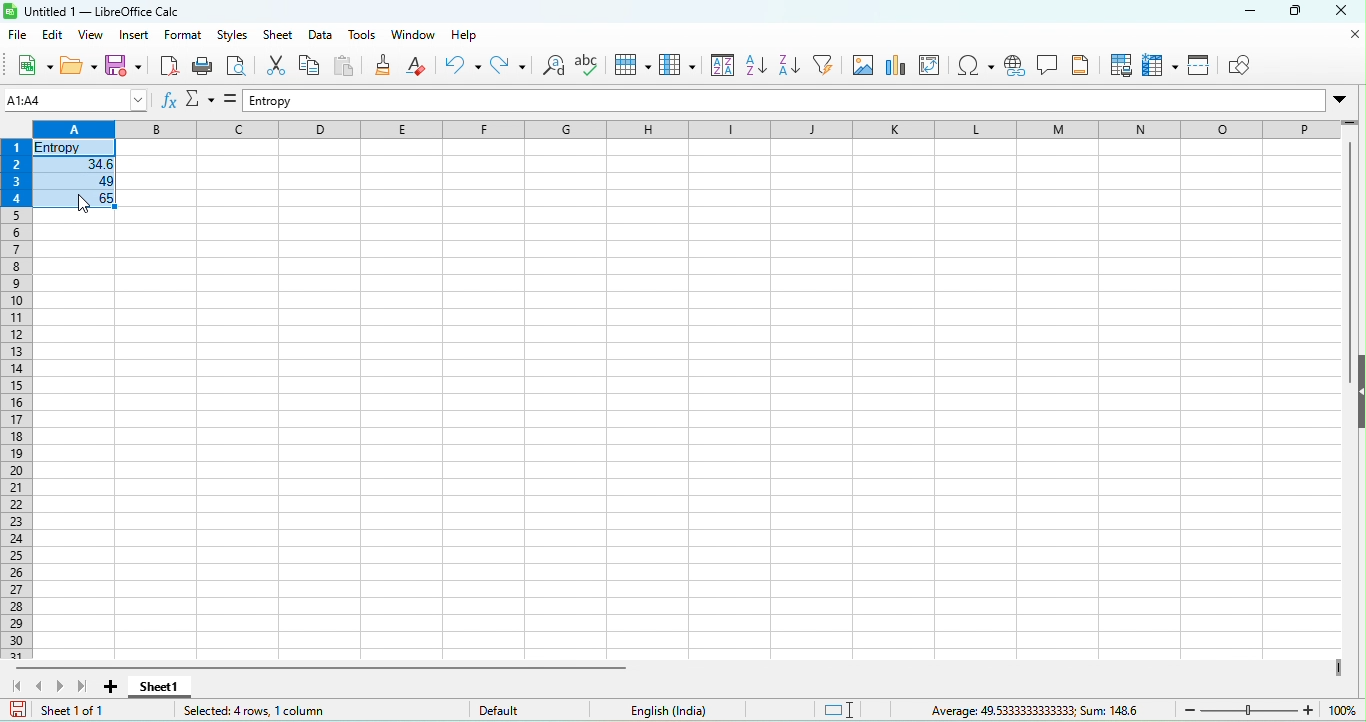 The image size is (1366, 722). What do you see at coordinates (935, 66) in the screenshot?
I see `edit pivot table` at bounding box center [935, 66].